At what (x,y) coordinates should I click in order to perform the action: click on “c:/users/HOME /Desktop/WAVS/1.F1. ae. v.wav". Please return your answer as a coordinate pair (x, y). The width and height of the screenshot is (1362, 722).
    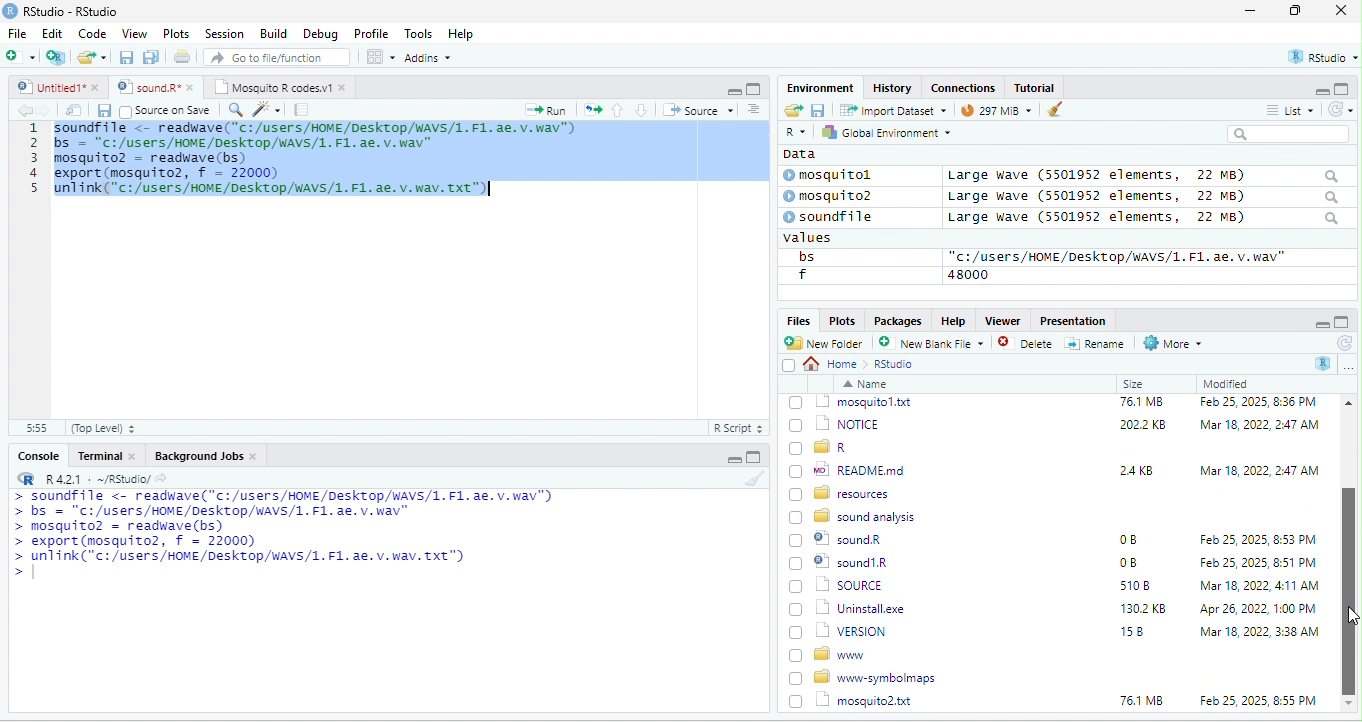
    Looking at the image, I should click on (1117, 256).